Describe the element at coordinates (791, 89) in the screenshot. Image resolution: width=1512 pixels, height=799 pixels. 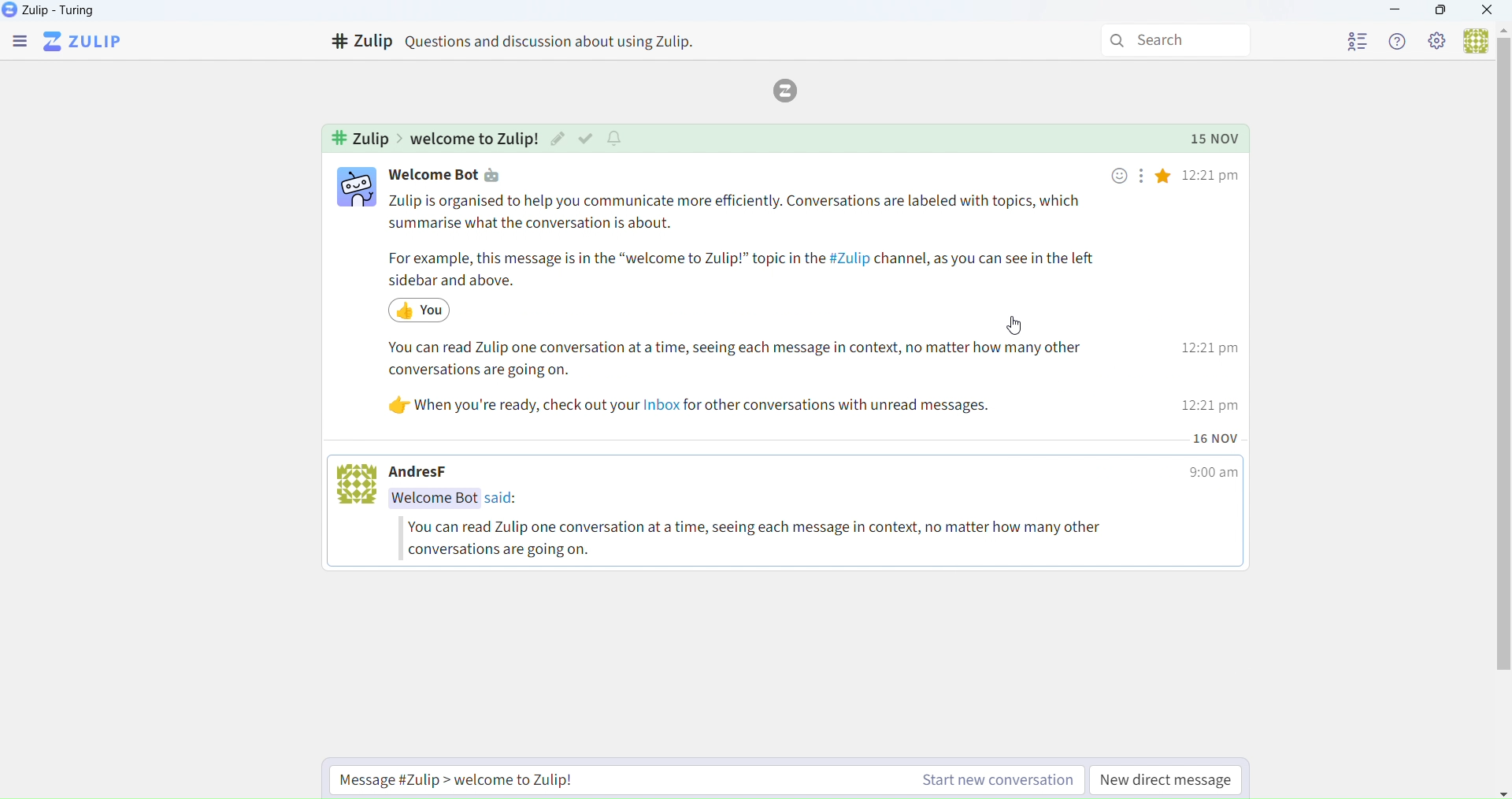
I see `Logo` at that location.